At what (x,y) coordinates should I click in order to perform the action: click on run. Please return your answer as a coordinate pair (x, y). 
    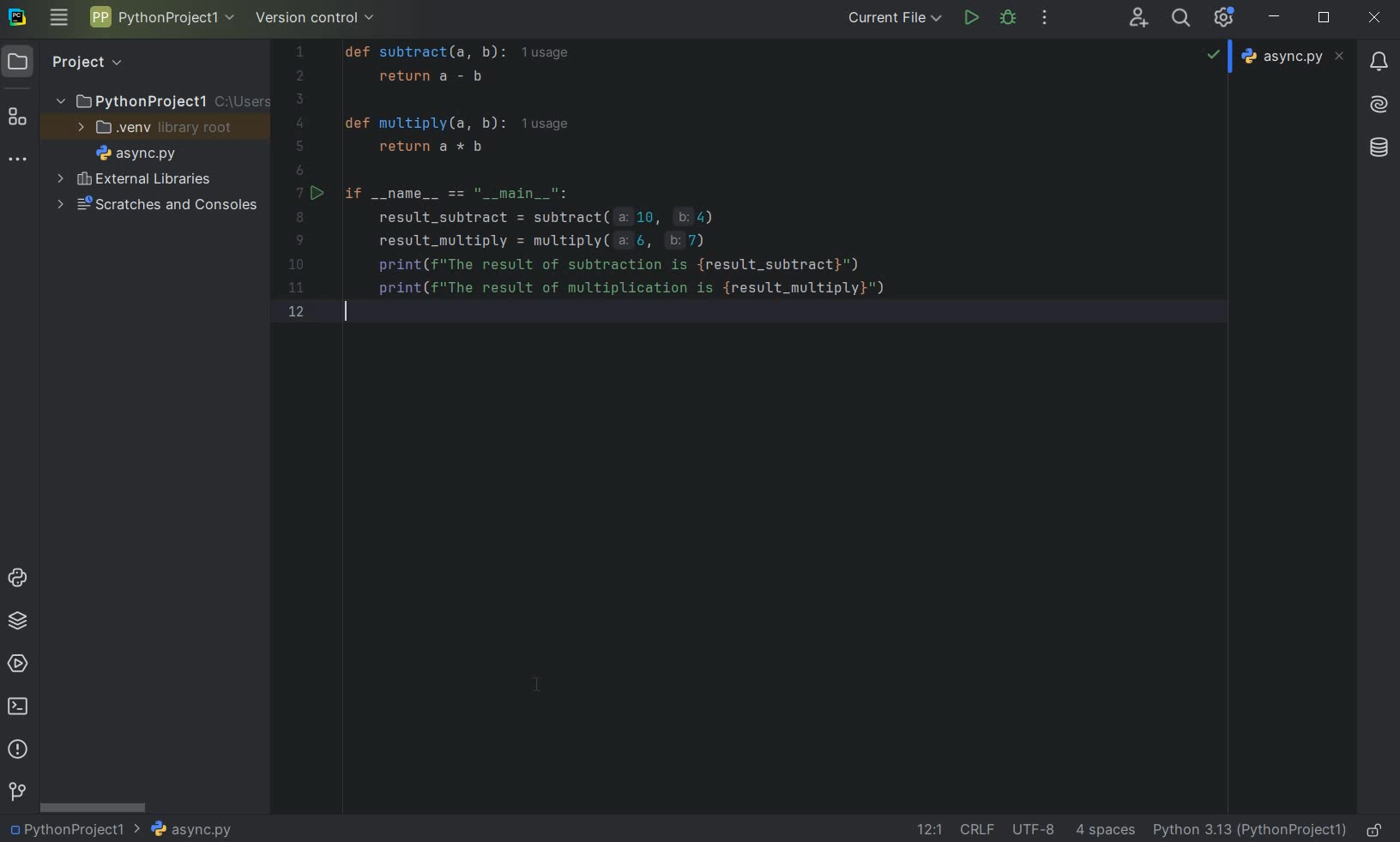
    Looking at the image, I should click on (970, 18).